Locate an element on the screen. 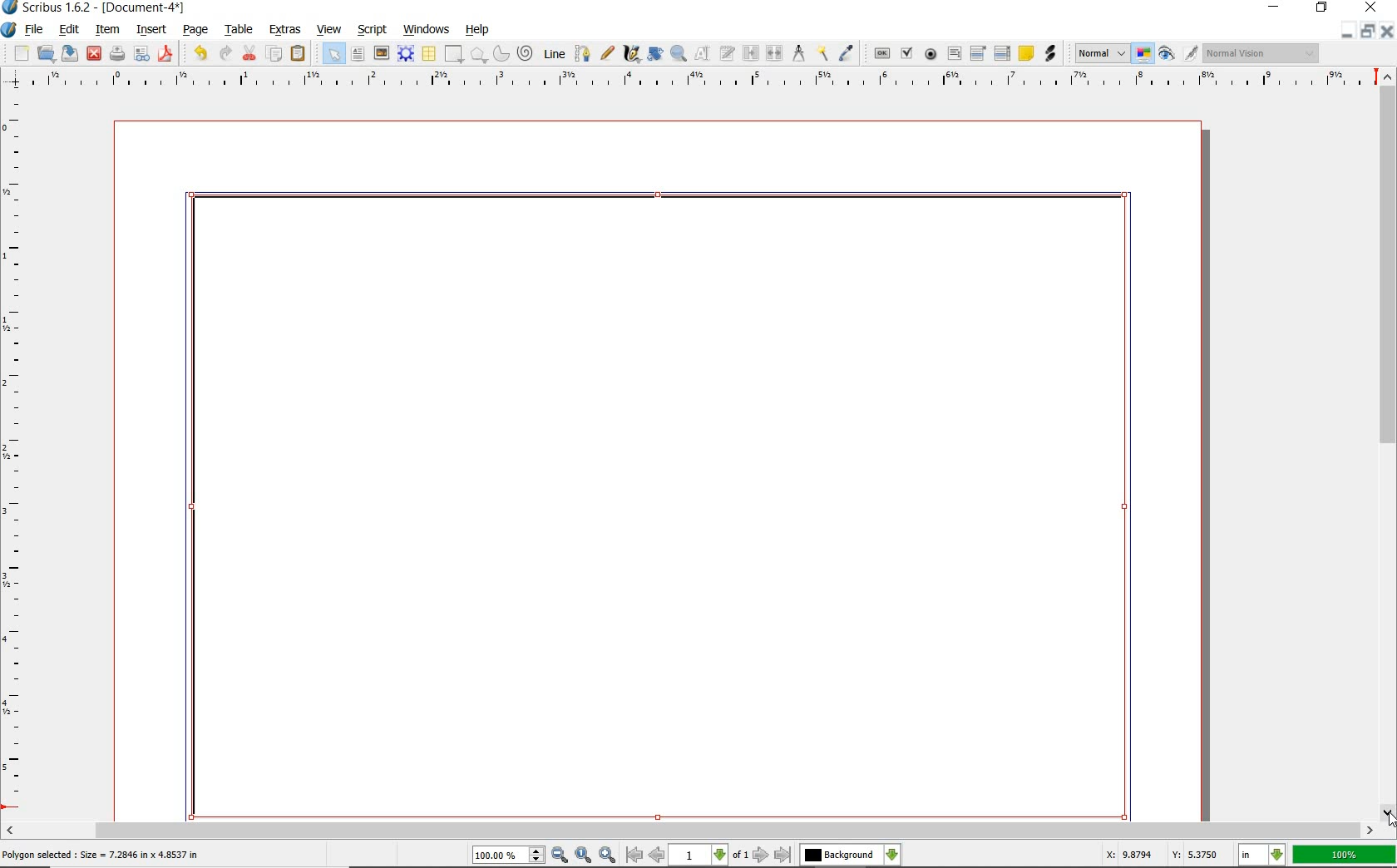  100.00% is located at coordinates (510, 856).